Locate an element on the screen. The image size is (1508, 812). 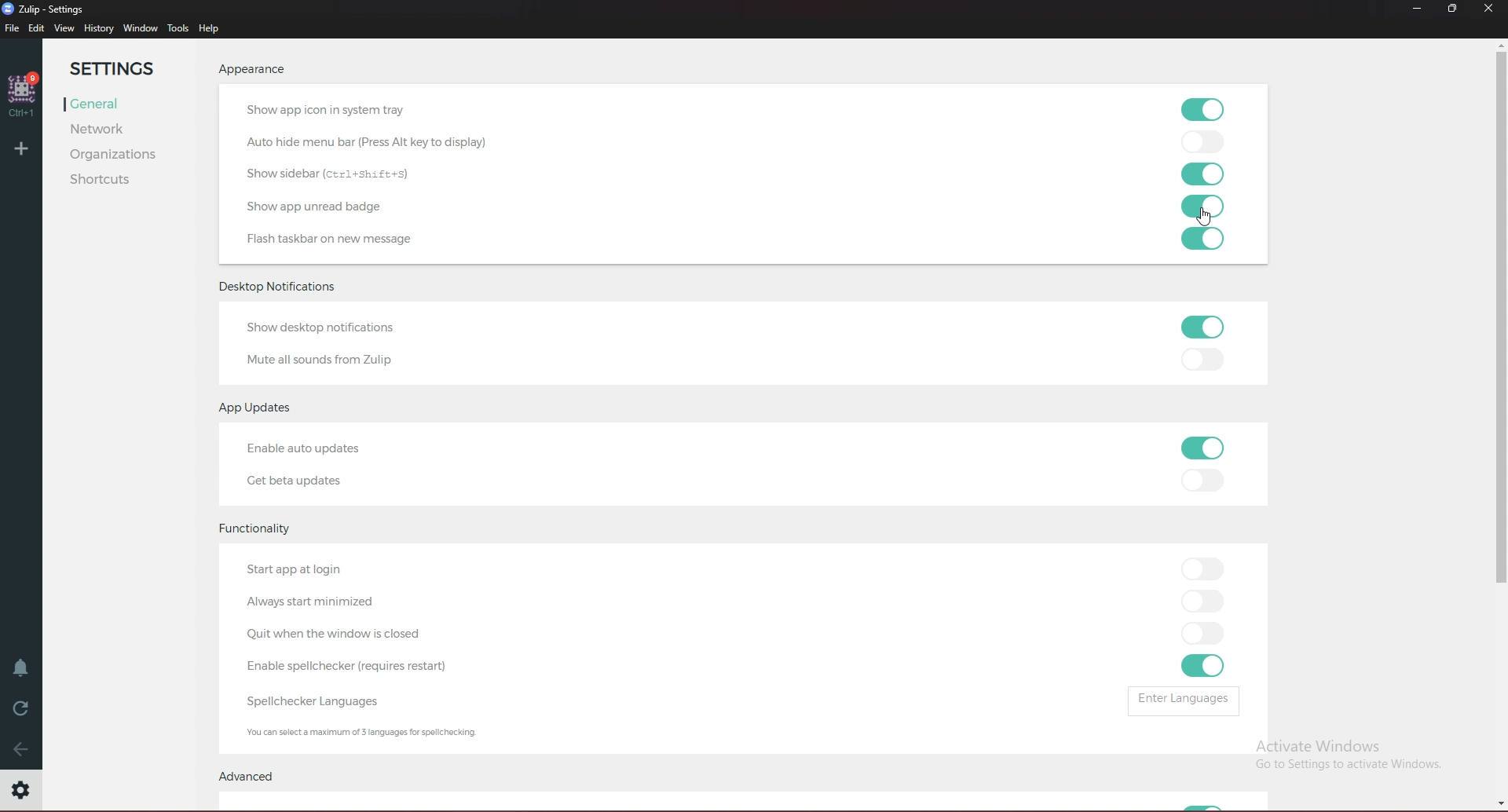
view is located at coordinates (67, 28).